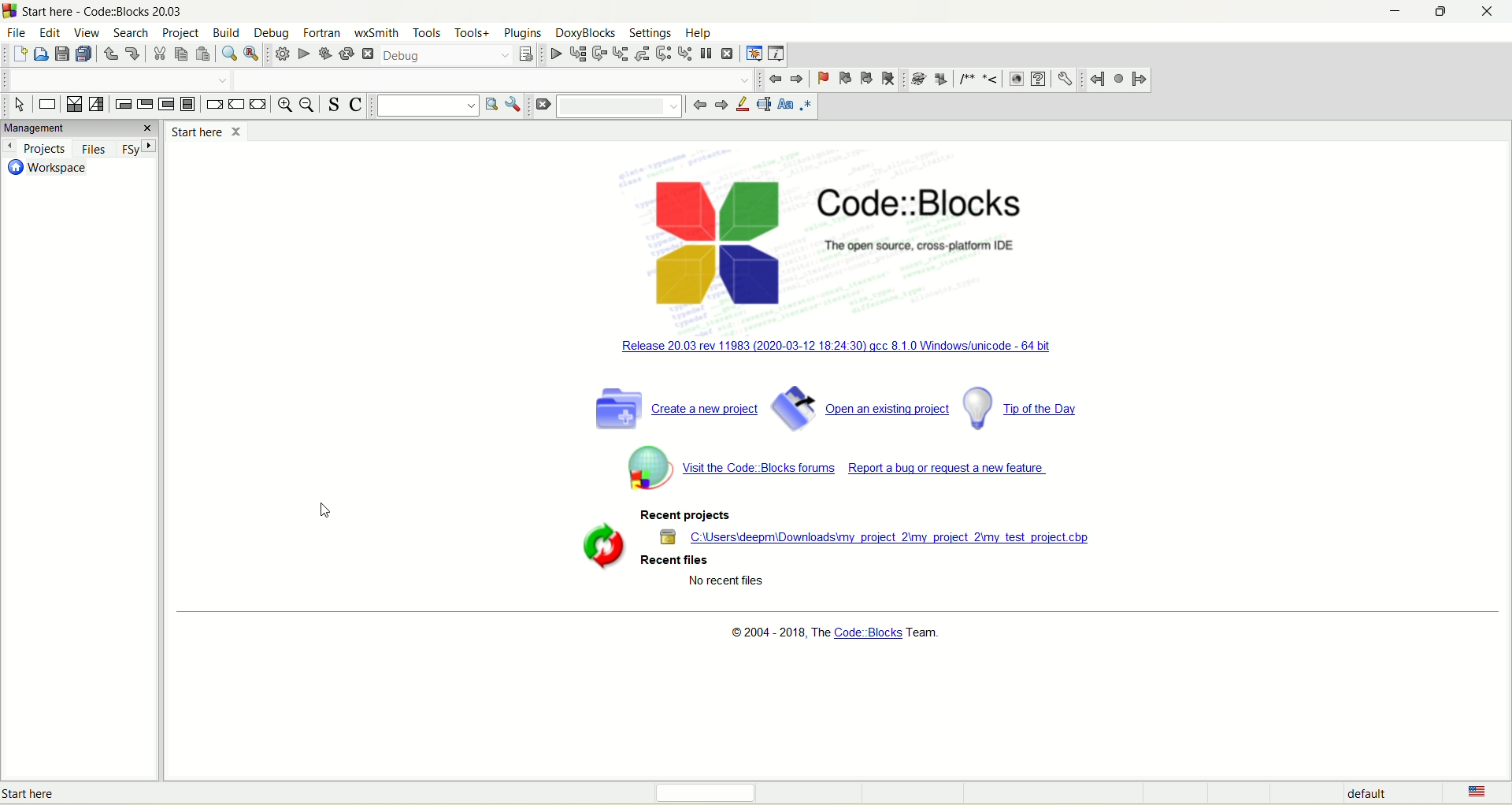 This screenshot has width=1512, height=805. Describe the element at coordinates (183, 36) in the screenshot. I see `project` at that location.